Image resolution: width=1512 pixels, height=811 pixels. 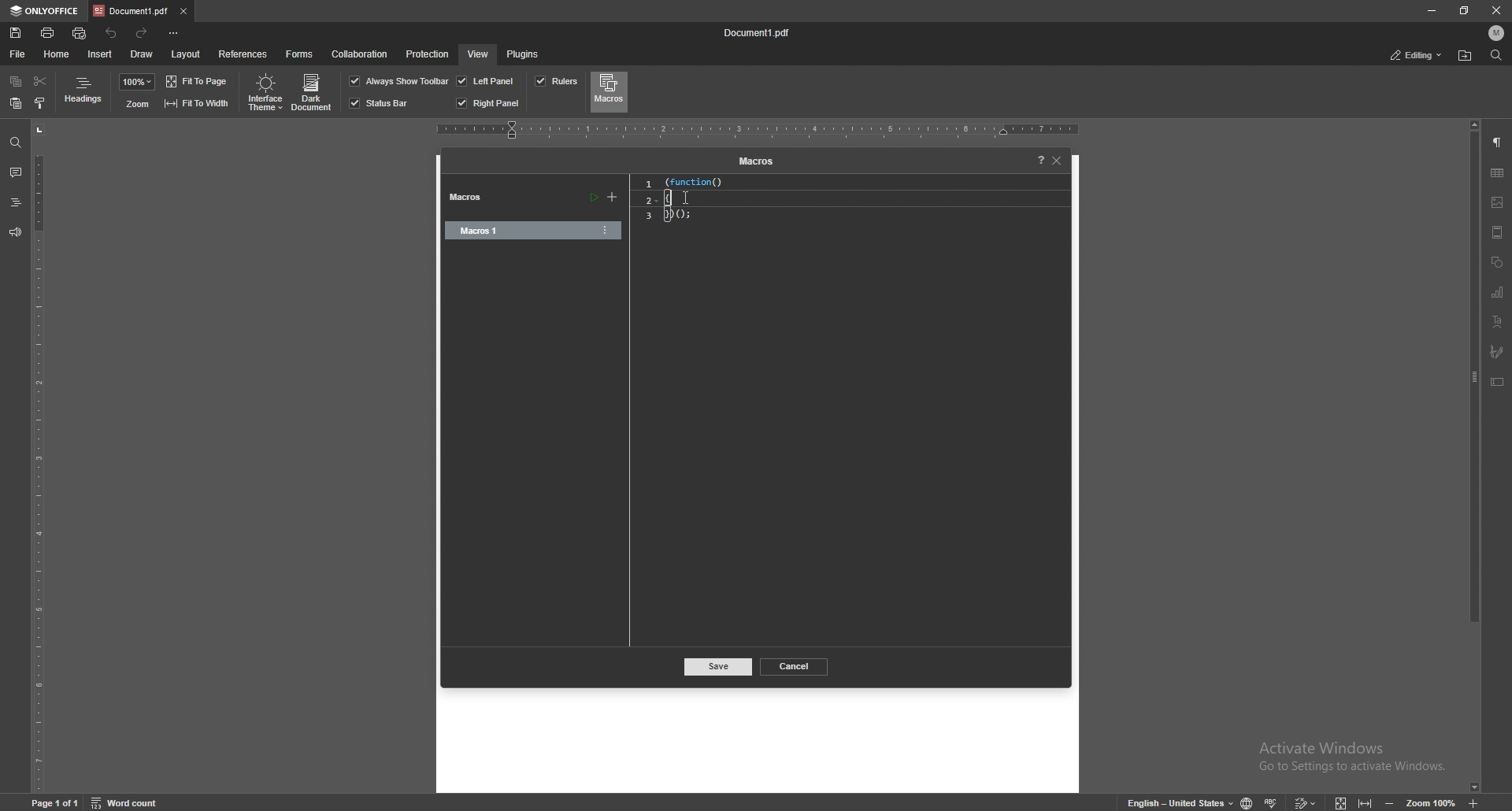 What do you see at coordinates (263, 93) in the screenshot?
I see `interface theme` at bounding box center [263, 93].